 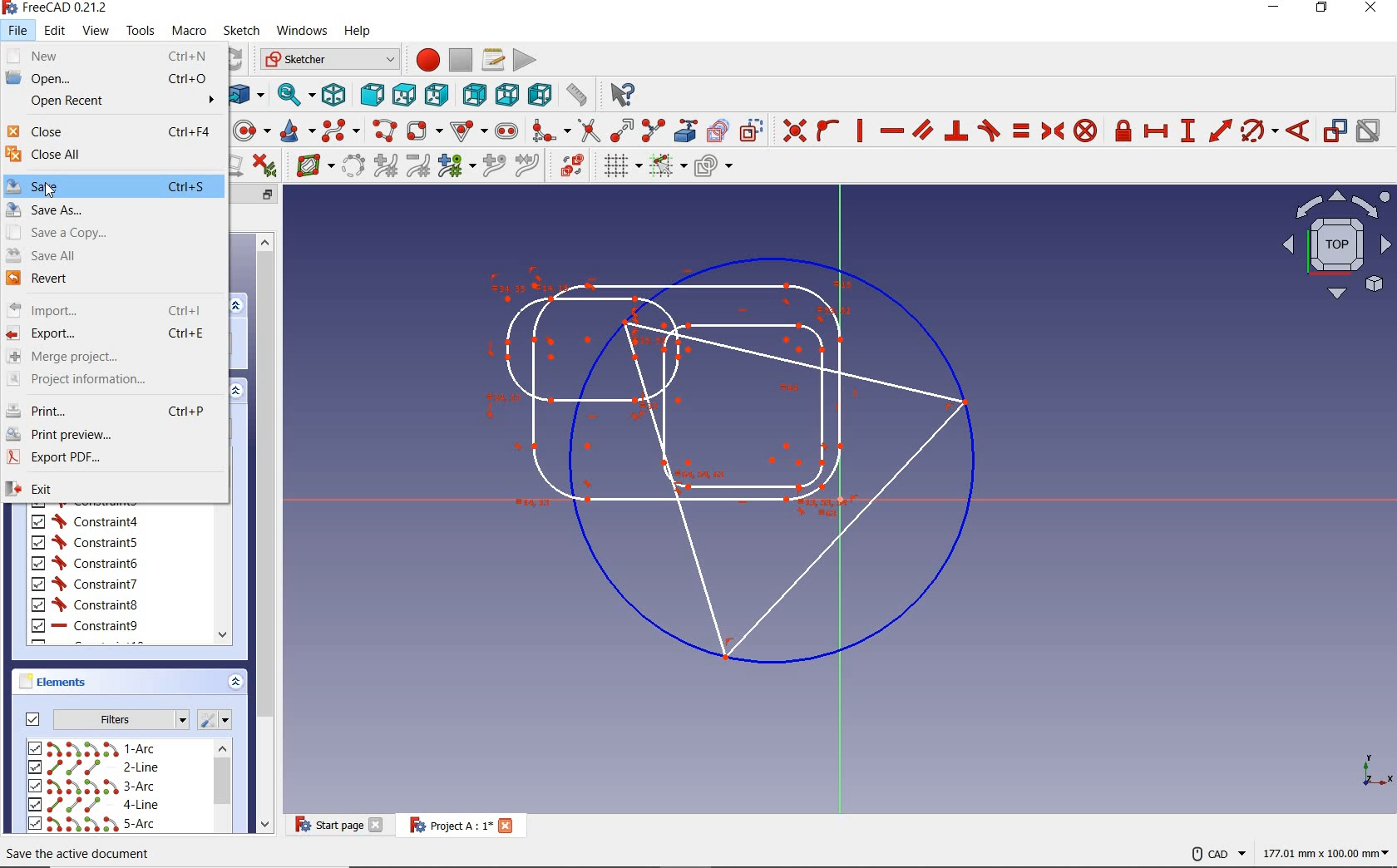 I want to click on scrollbar, so click(x=222, y=787).